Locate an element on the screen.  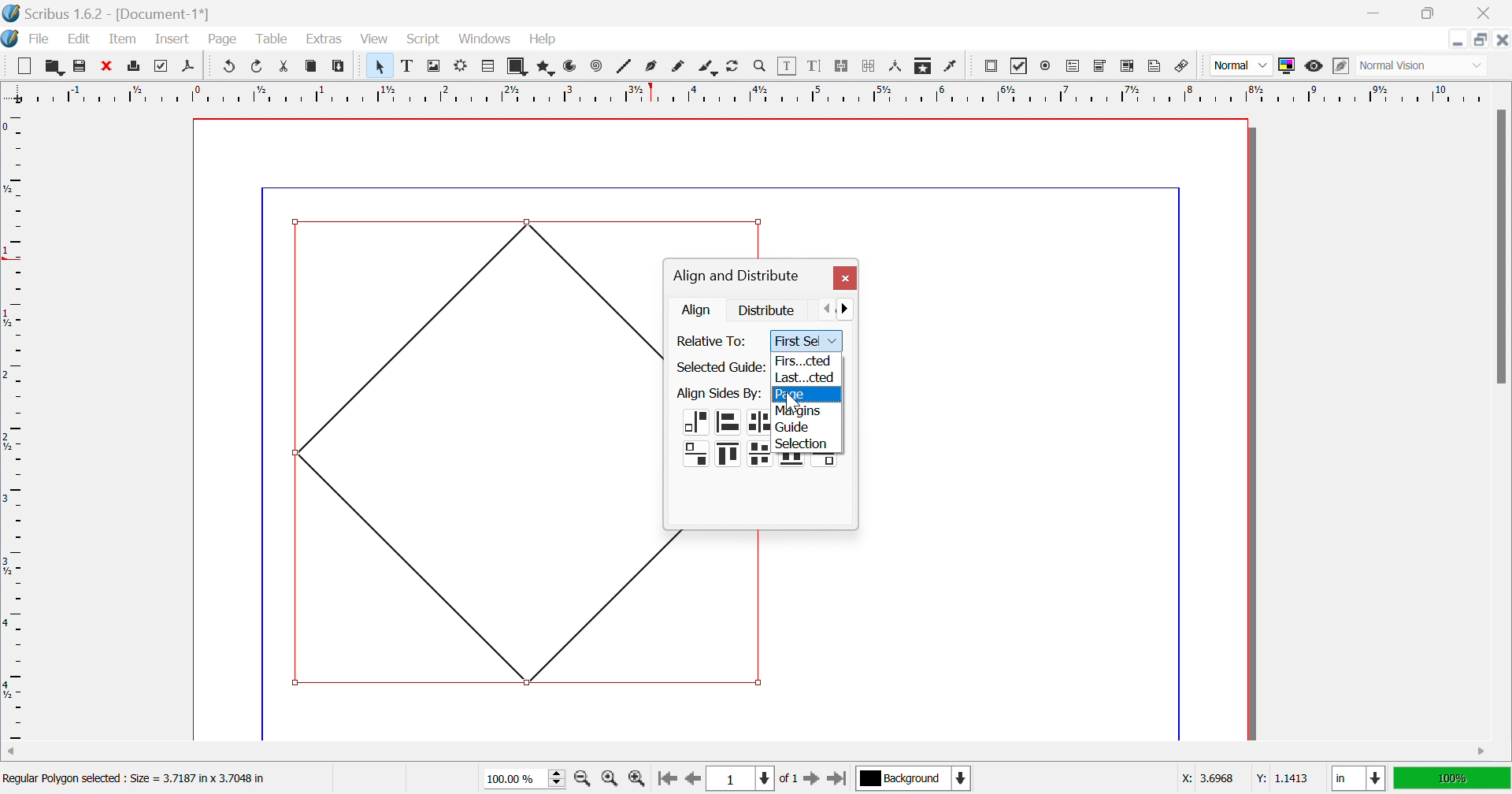
Minimize is located at coordinates (1377, 13).